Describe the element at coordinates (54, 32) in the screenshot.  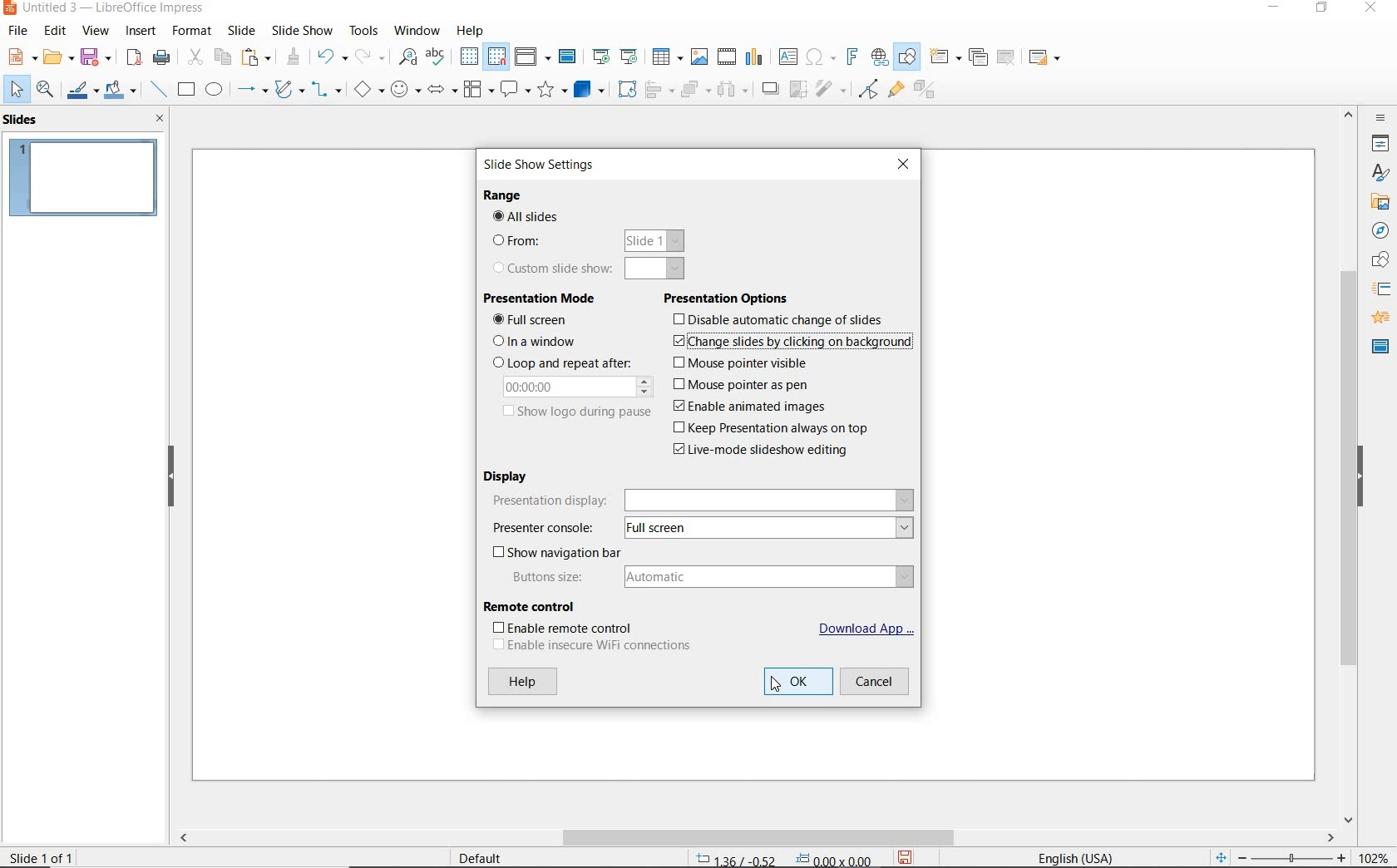
I see `EDIT` at that location.